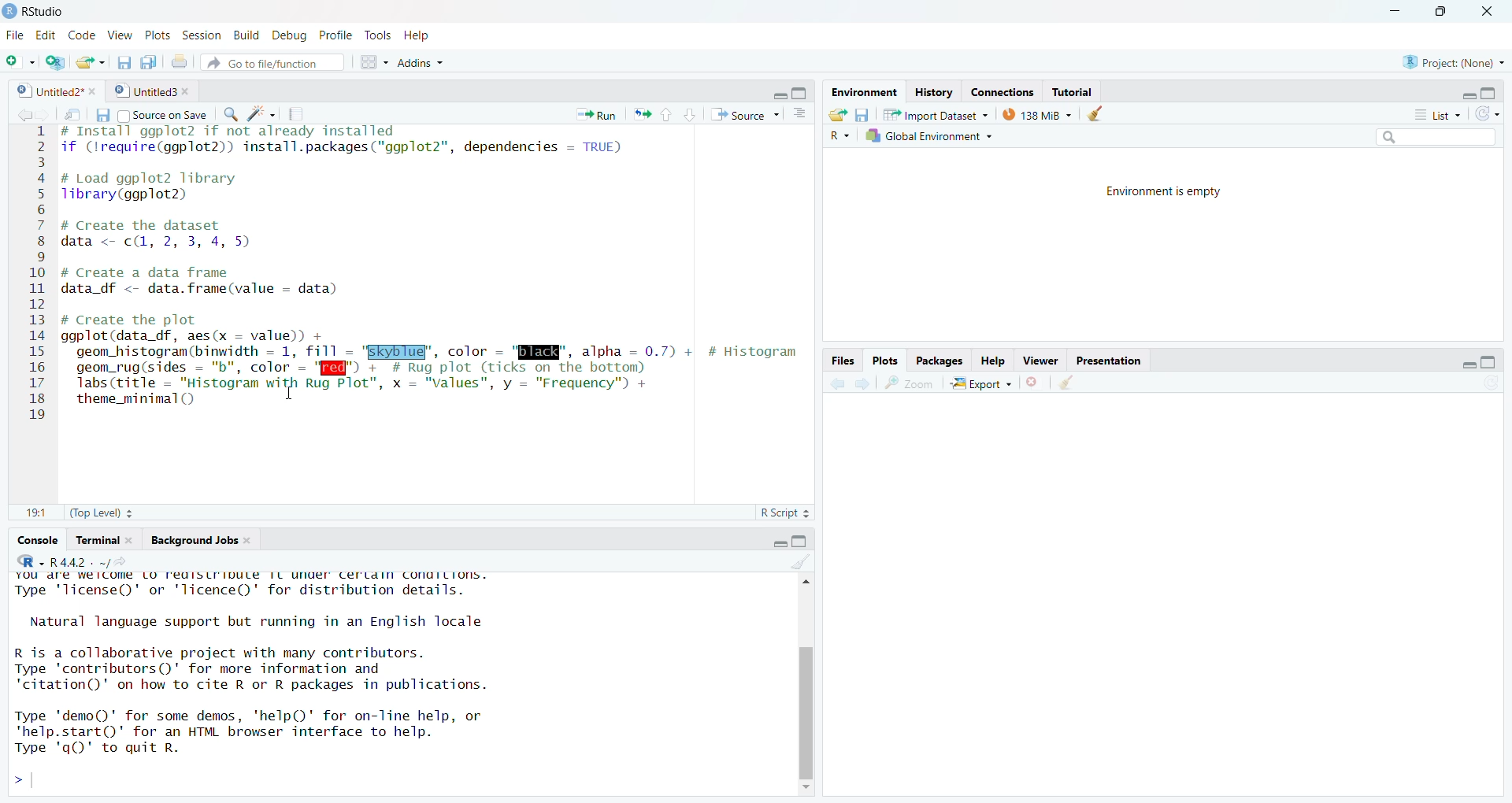  What do you see at coordinates (589, 115) in the screenshot?
I see `Run` at bounding box center [589, 115].